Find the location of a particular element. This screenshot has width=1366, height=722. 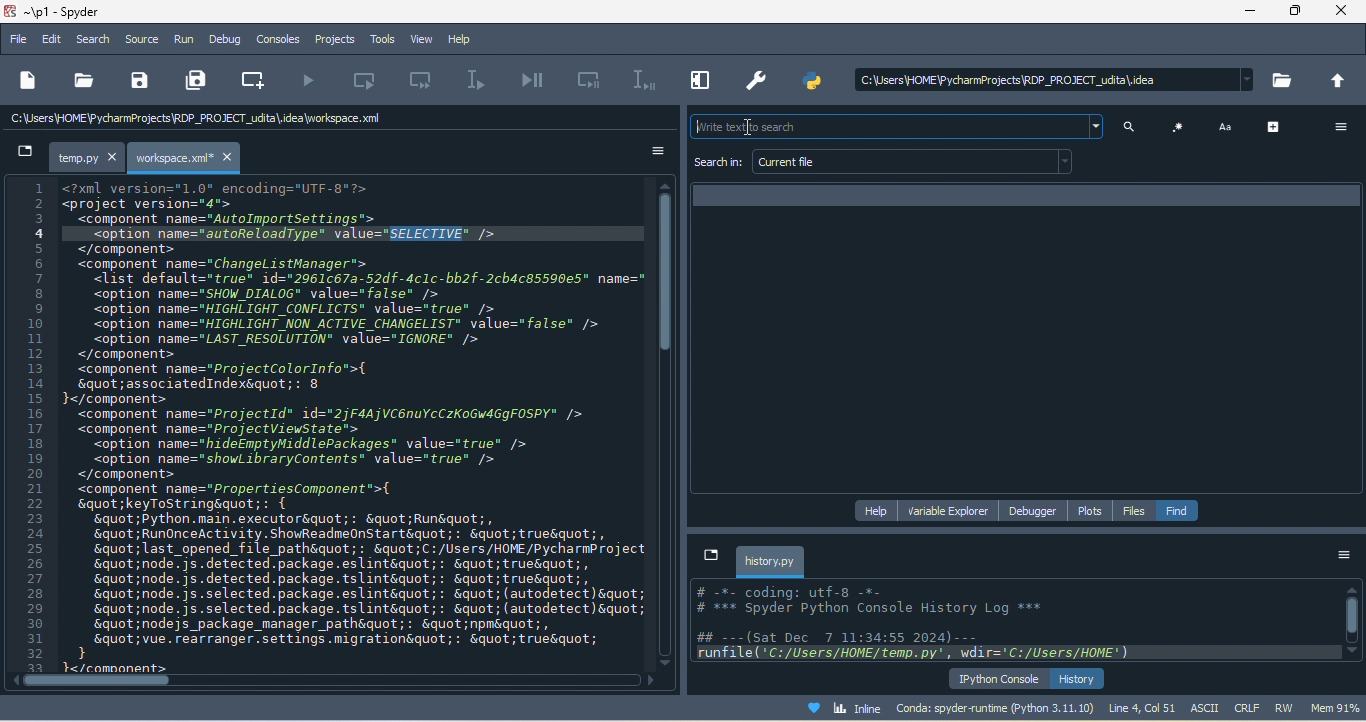

help is located at coordinates (878, 509).